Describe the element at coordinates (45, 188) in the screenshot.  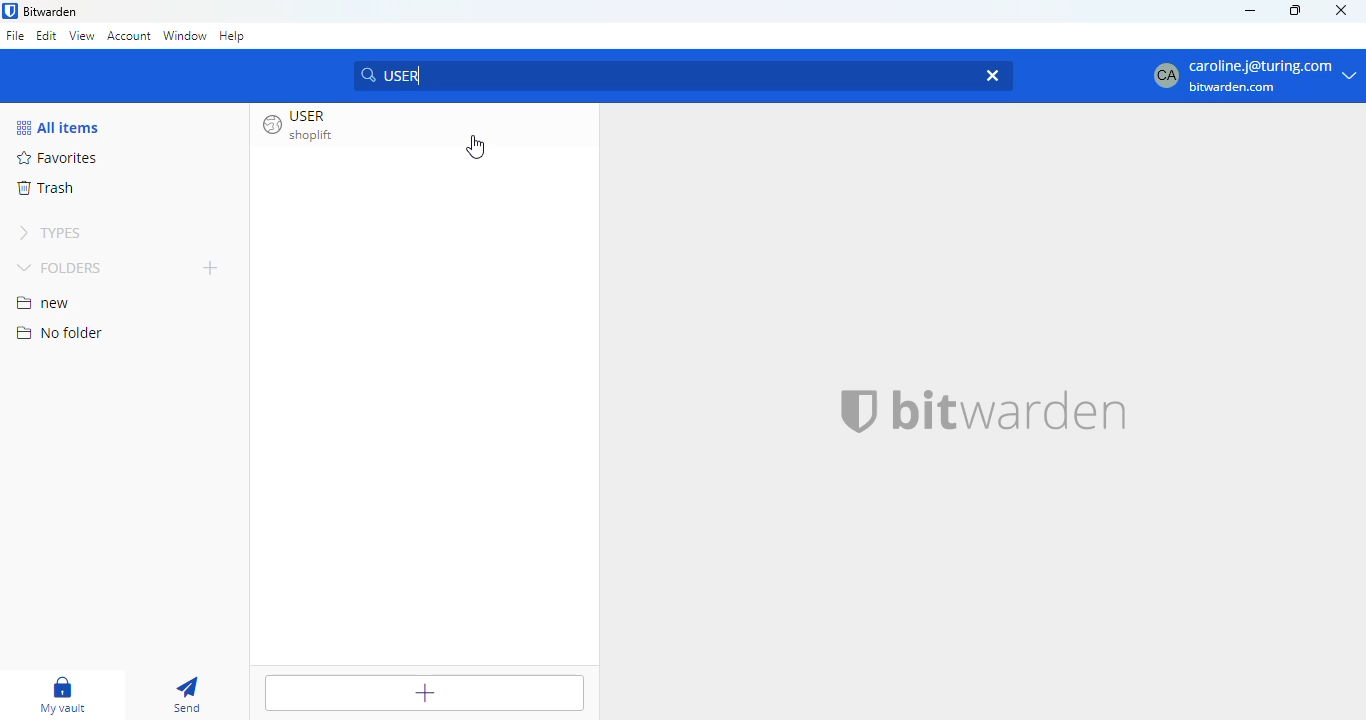
I see `trash` at that location.